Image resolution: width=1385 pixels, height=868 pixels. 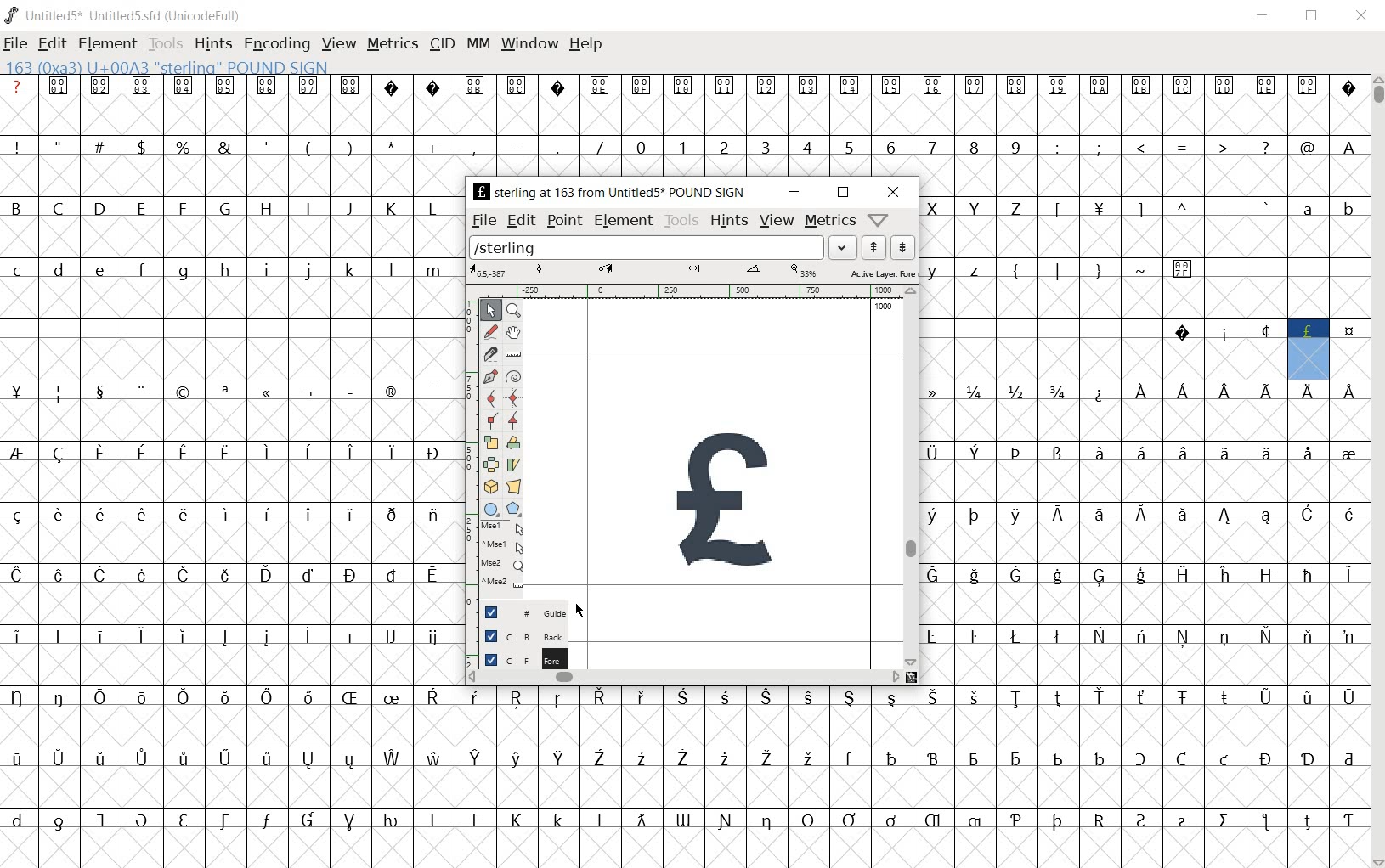 I want to click on Symbol, so click(x=20, y=635).